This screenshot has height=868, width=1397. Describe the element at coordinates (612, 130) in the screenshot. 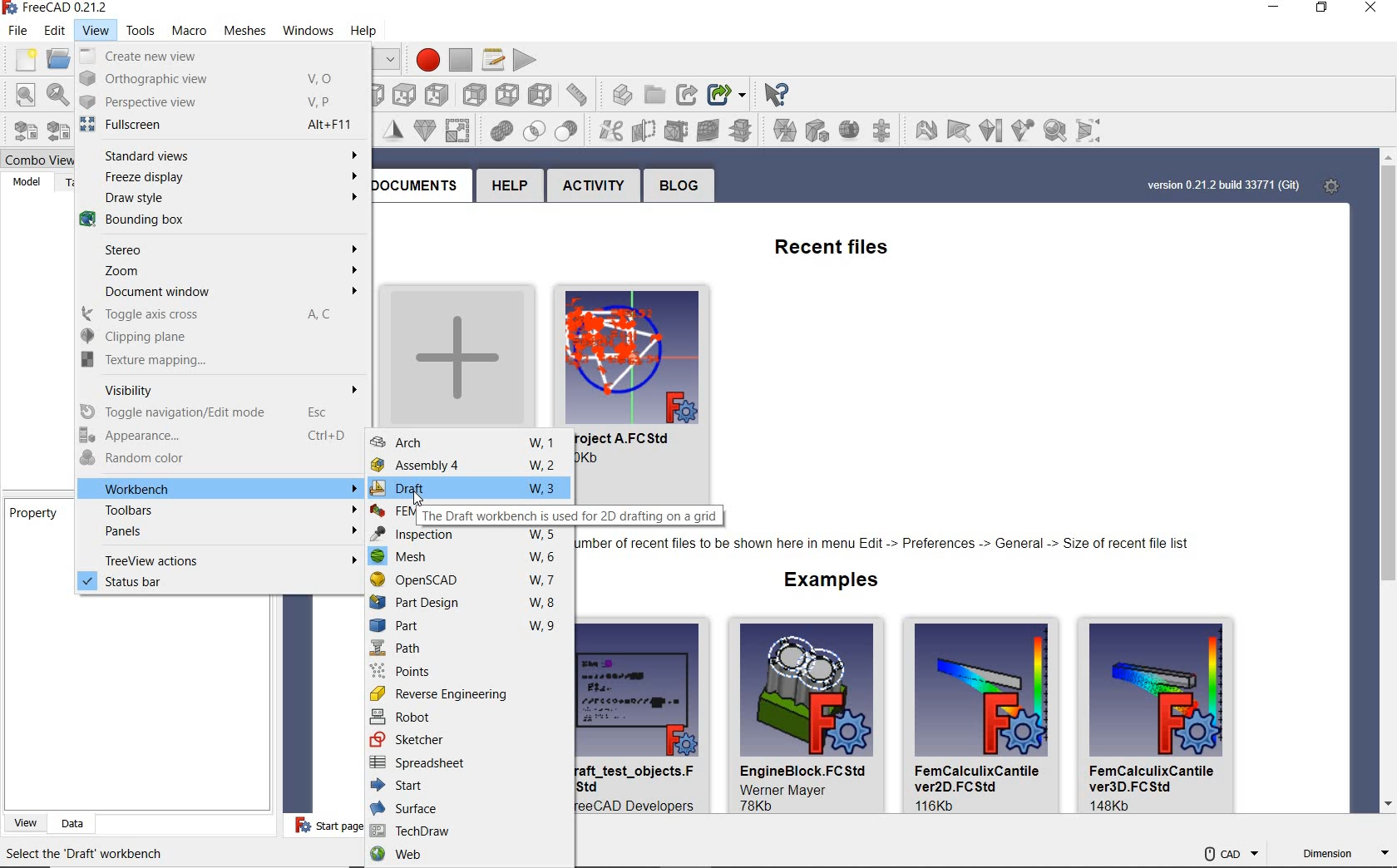

I see `trim mesh` at that location.